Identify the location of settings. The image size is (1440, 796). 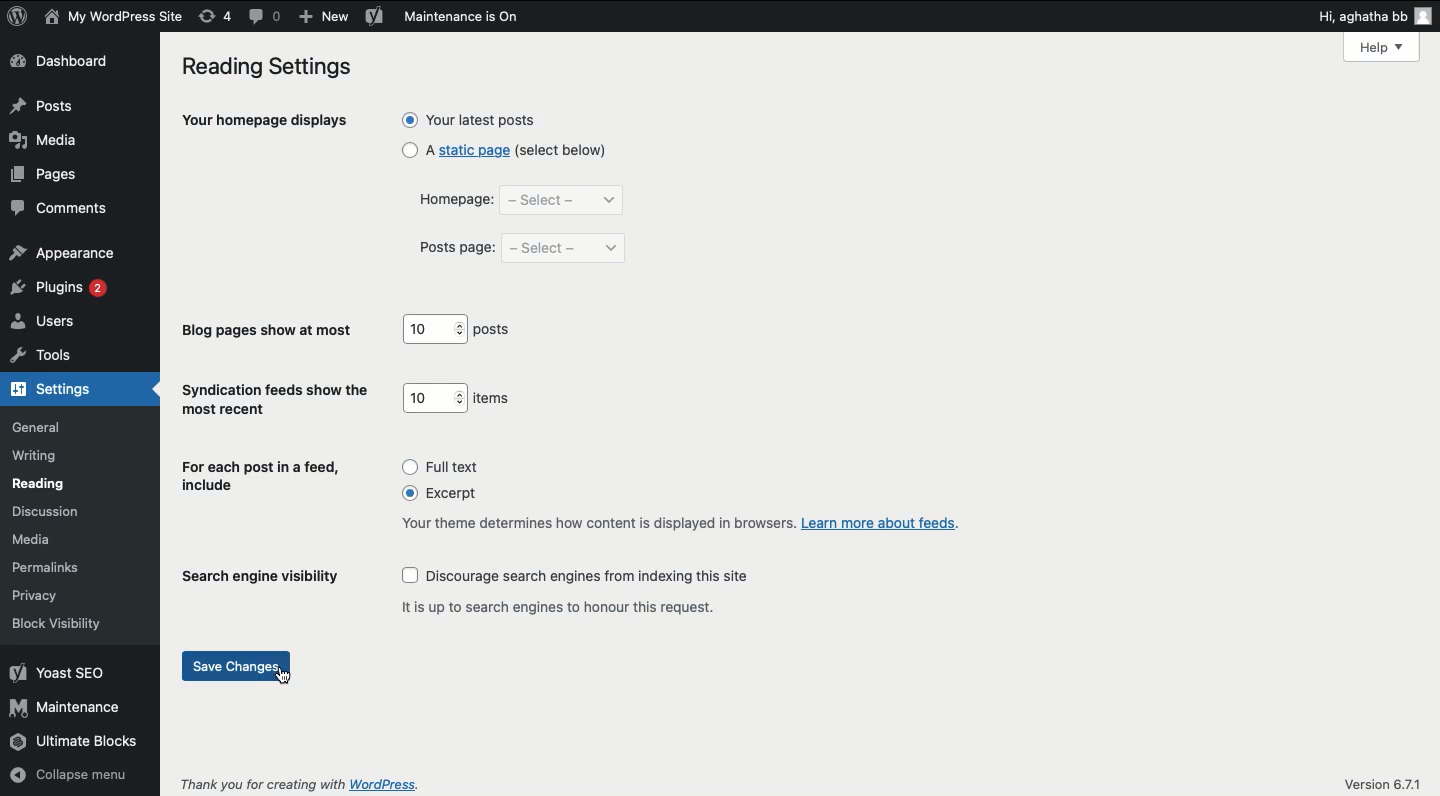
(52, 390).